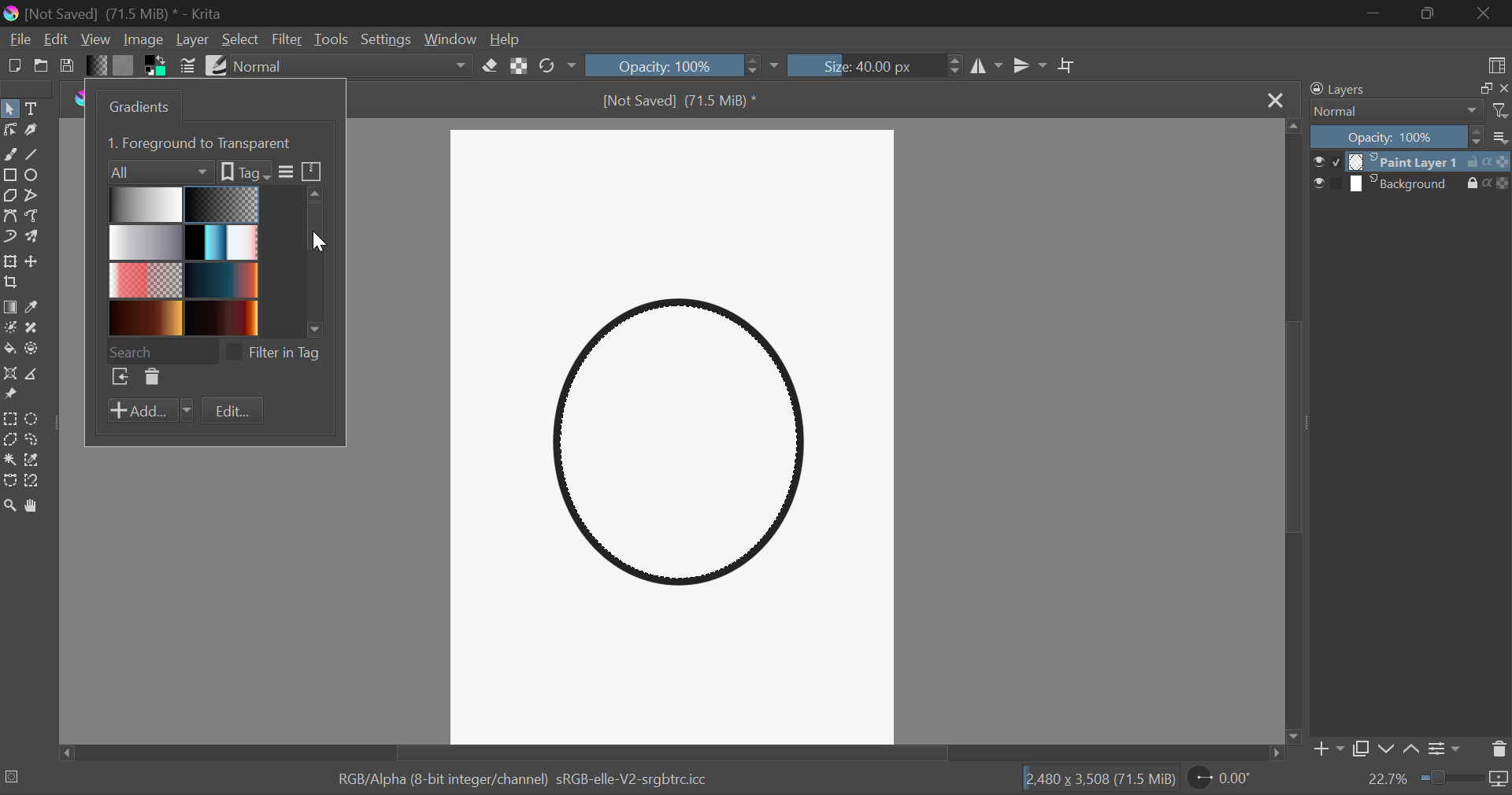 This screenshot has width=1512, height=795. I want to click on Eyedropper, so click(36, 307).